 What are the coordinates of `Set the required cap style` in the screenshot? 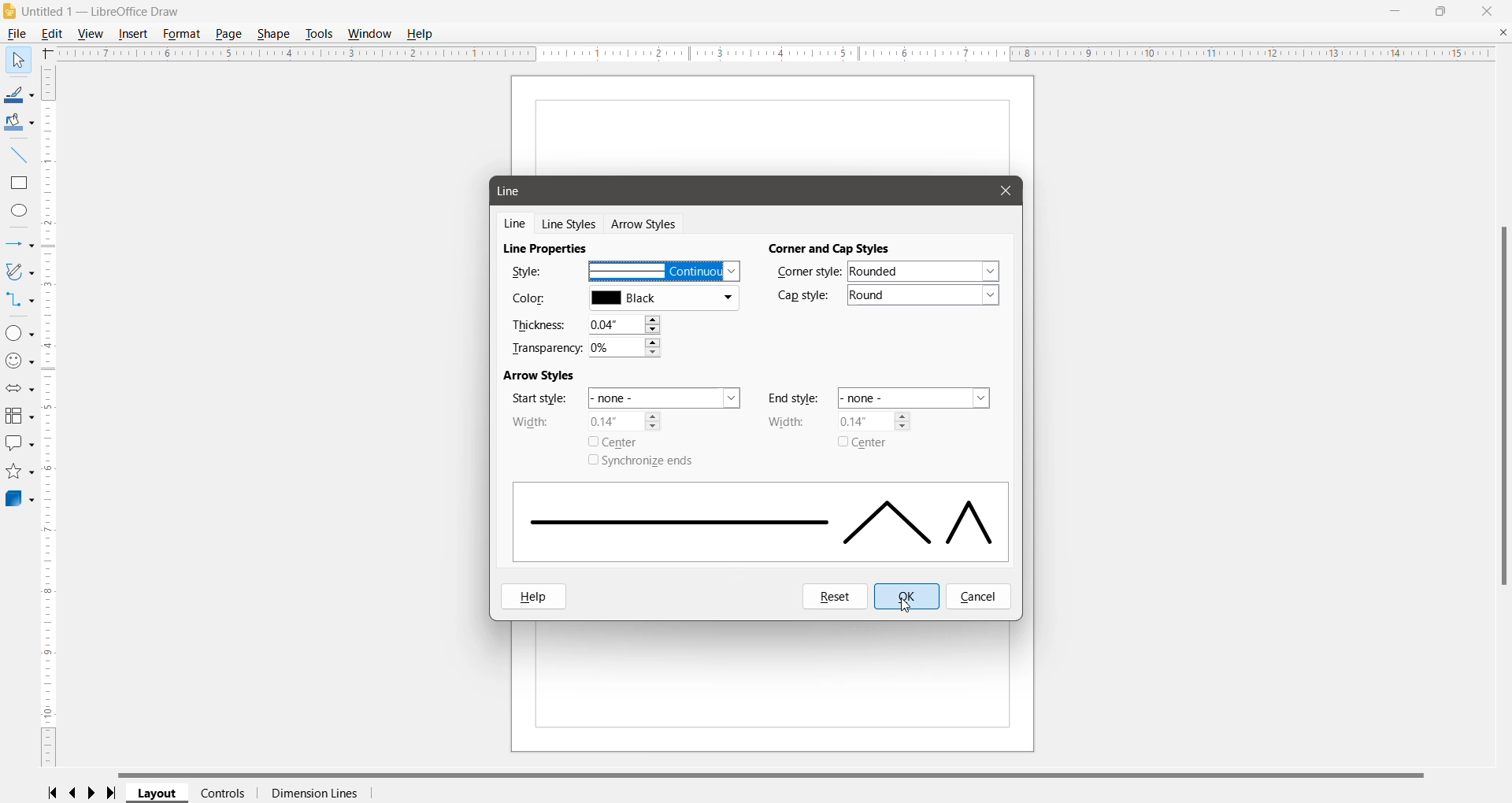 It's located at (923, 295).